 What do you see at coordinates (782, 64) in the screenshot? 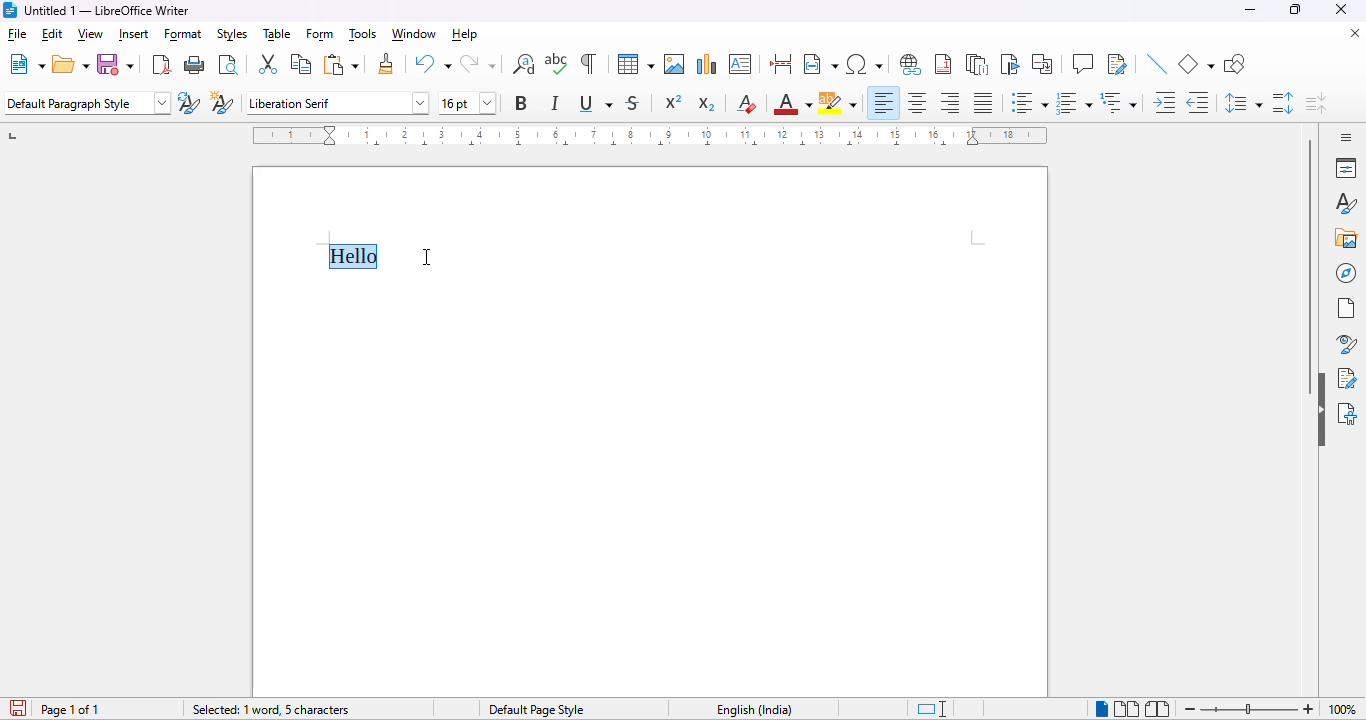
I see `insert page break` at bounding box center [782, 64].